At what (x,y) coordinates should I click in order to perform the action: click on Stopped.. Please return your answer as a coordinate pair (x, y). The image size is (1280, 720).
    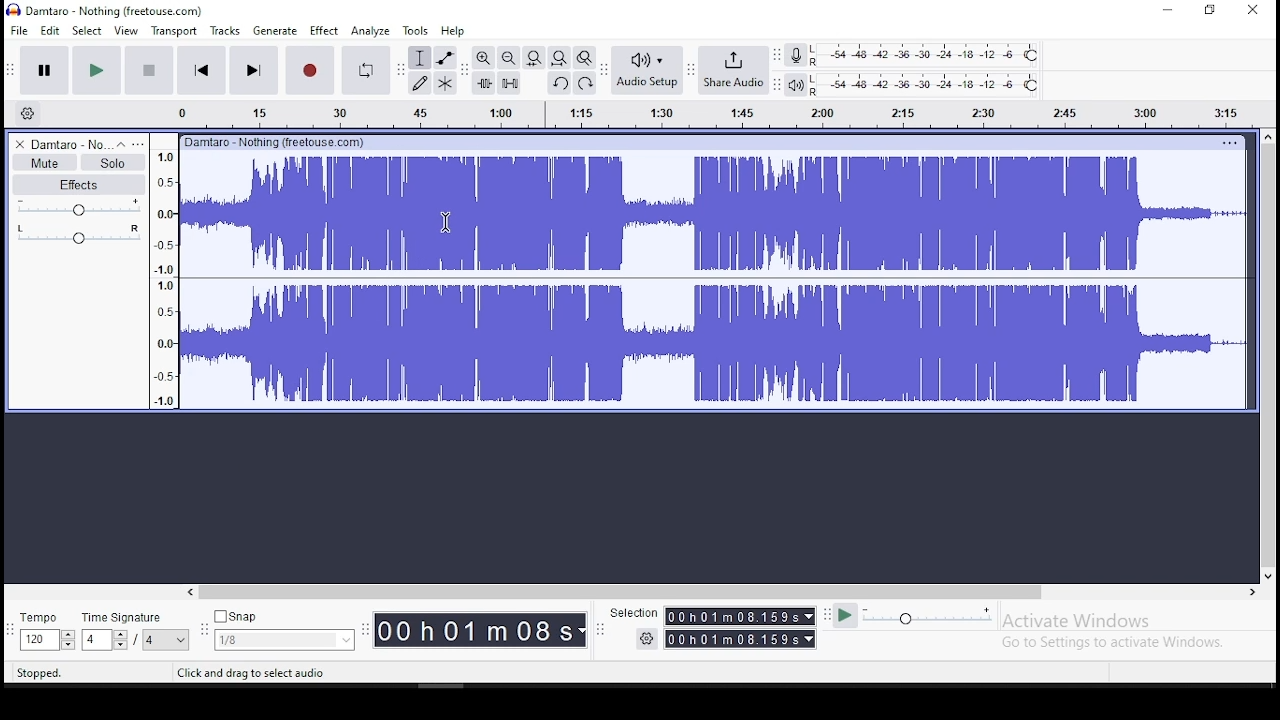
    Looking at the image, I should click on (42, 673).